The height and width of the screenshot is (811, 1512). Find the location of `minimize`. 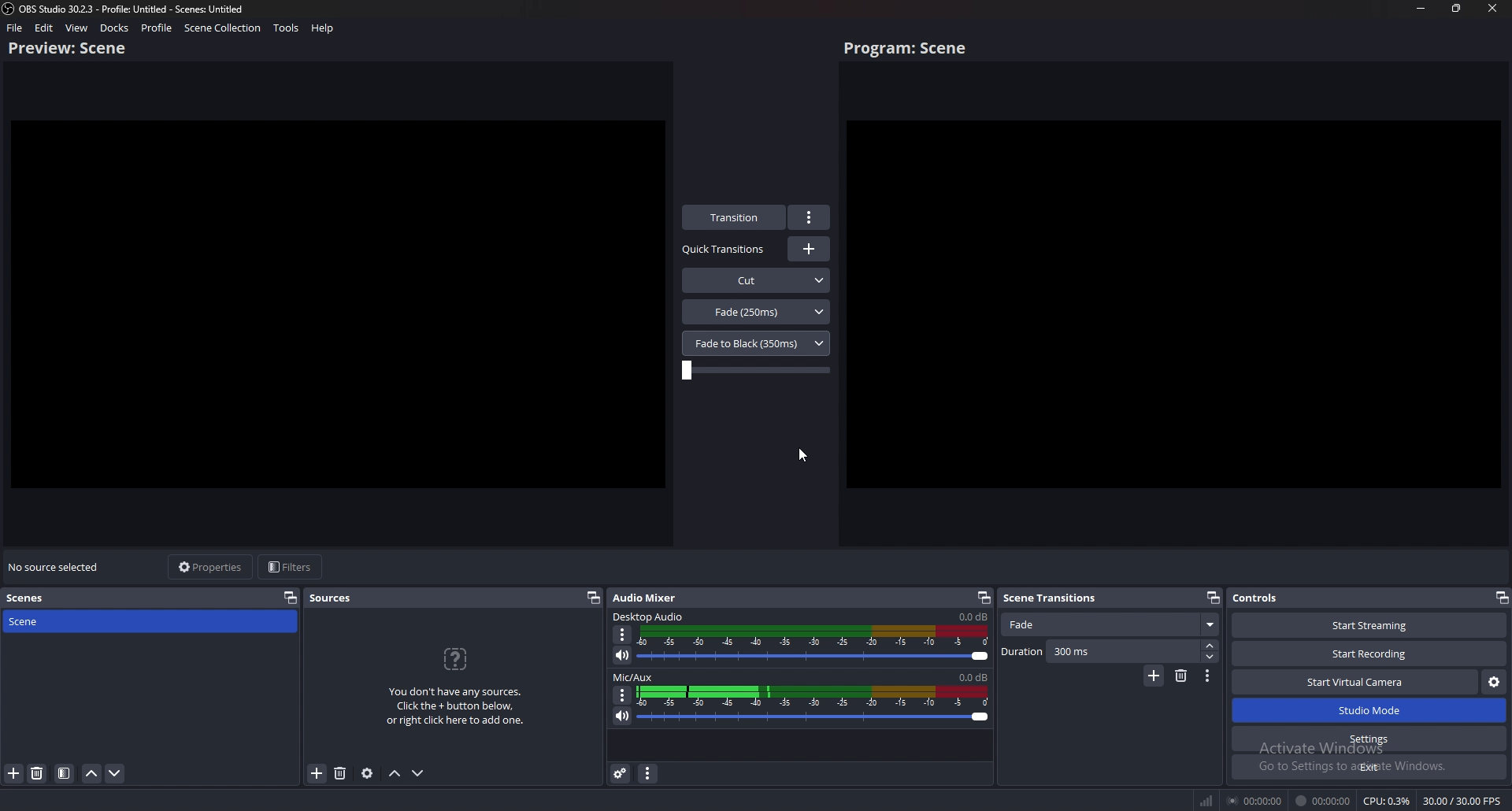

minimize is located at coordinates (1422, 8).